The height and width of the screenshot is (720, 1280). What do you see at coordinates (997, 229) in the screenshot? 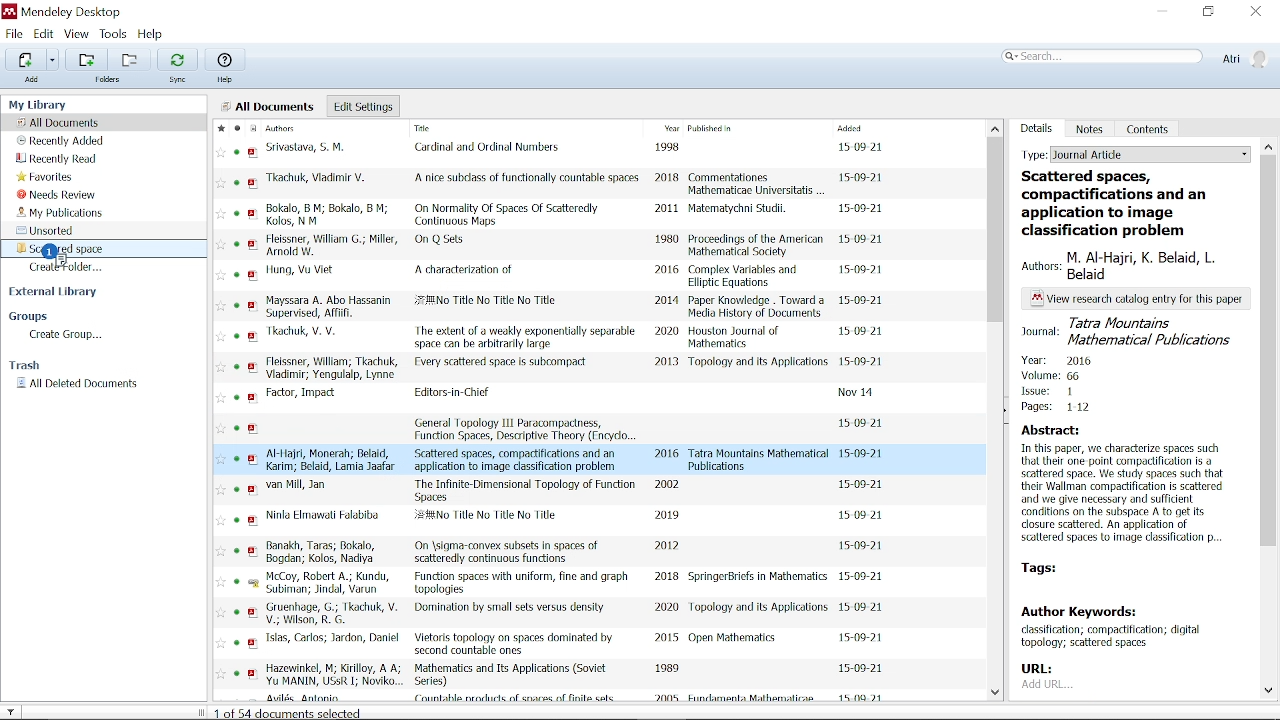
I see `Vertical scrollbar for all files` at bounding box center [997, 229].